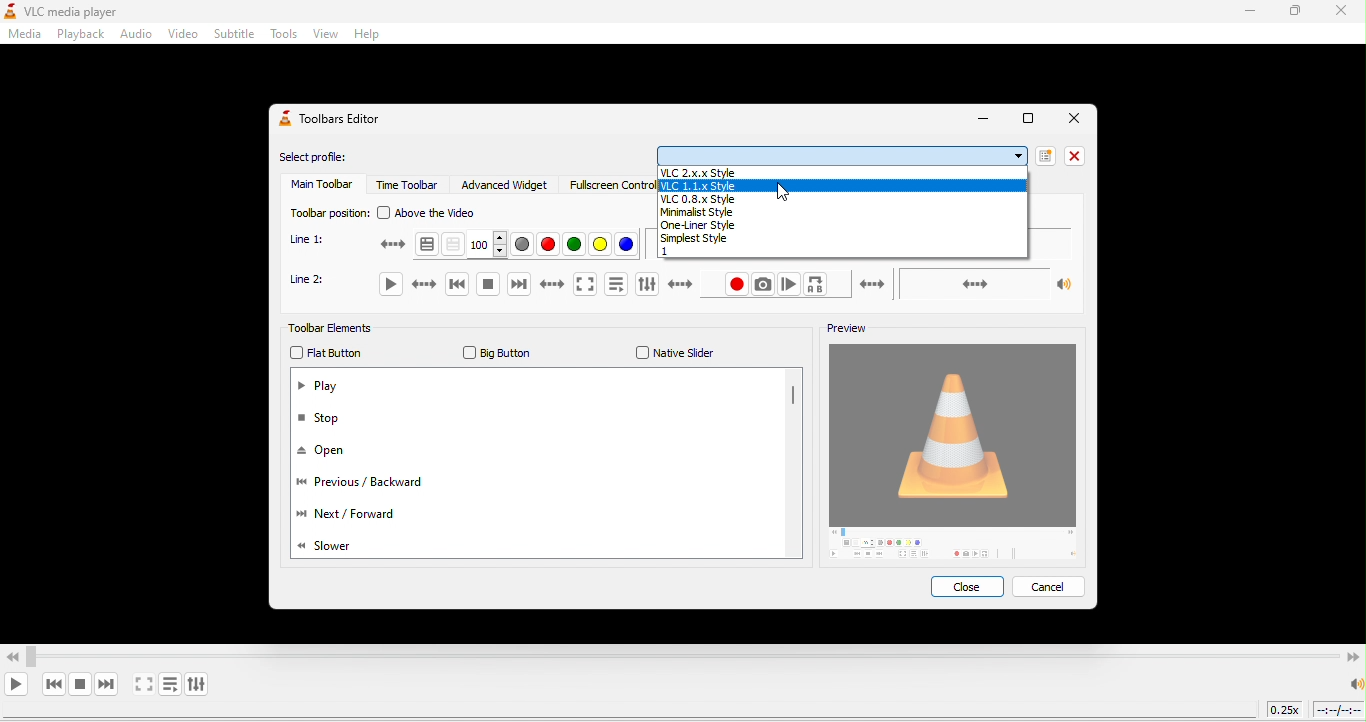 This screenshot has width=1366, height=722. What do you see at coordinates (323, 212) in the screenshot?
I see `toolbar position` at bounding box center [323, 212].